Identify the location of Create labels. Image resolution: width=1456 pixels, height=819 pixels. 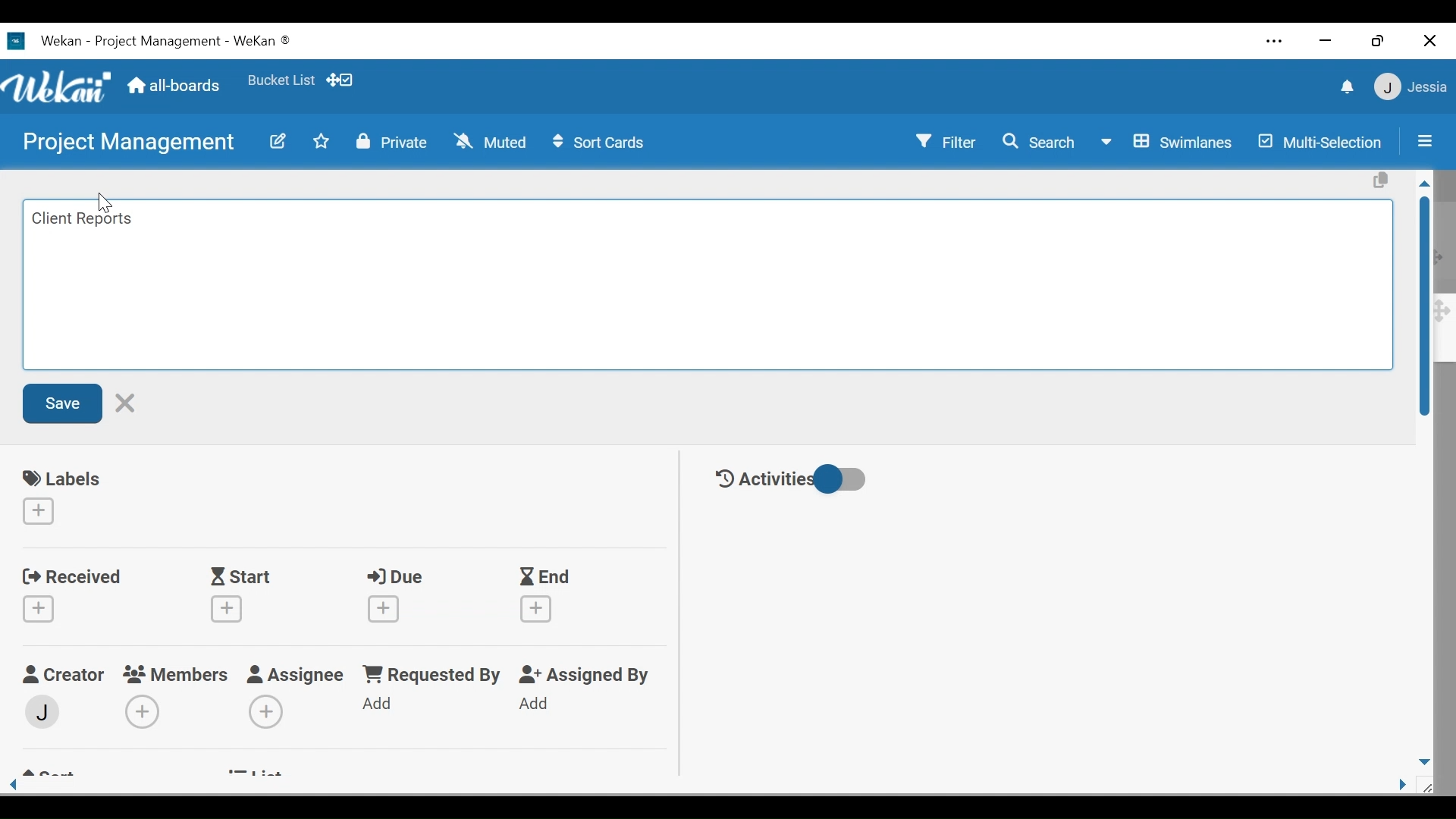
(39, 511).